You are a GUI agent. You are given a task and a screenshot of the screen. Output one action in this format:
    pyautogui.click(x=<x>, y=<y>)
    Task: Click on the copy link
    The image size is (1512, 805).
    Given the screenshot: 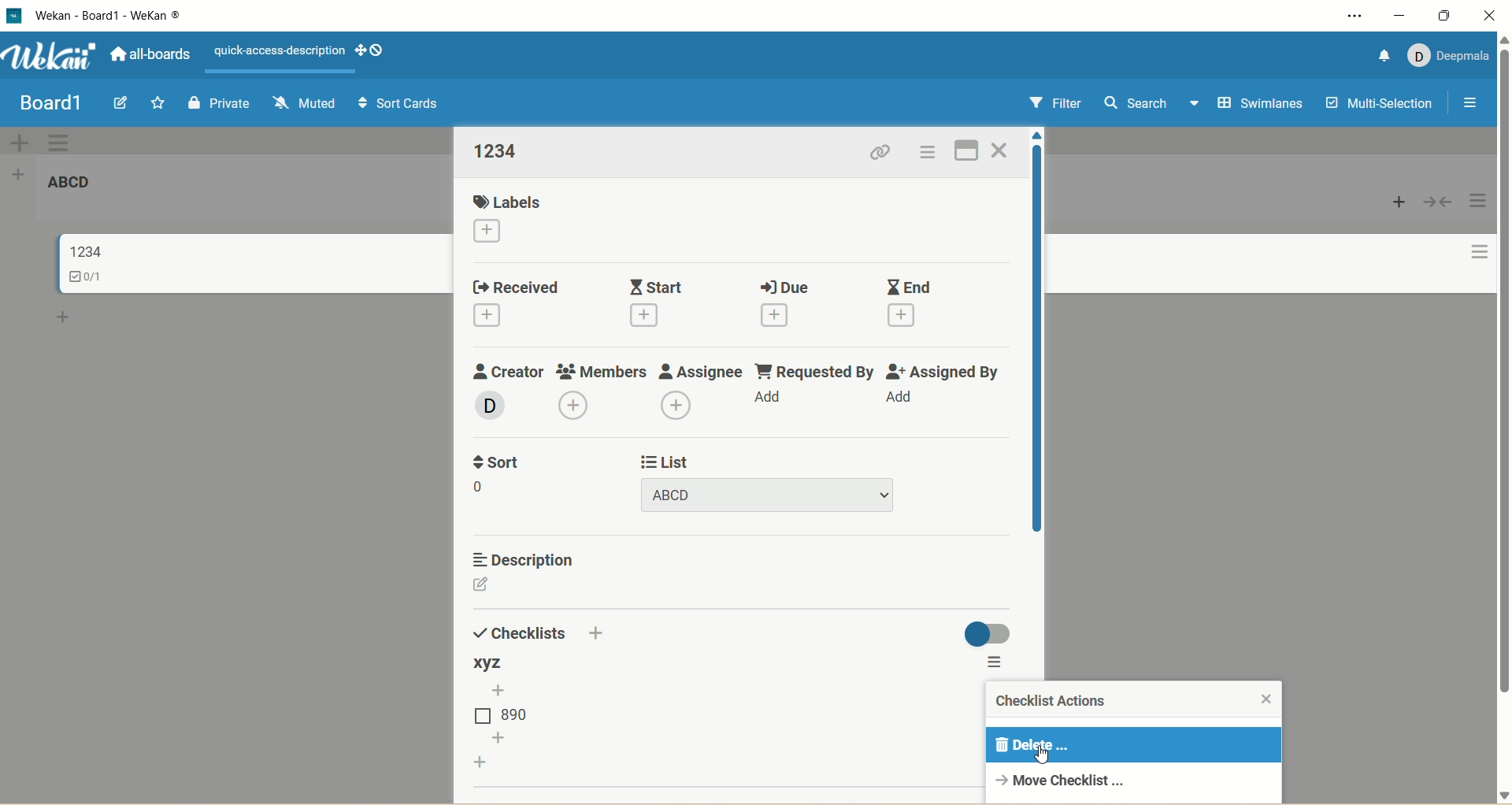 What is the action you would take?
    pyautogui.click(x=890, y=154)
    